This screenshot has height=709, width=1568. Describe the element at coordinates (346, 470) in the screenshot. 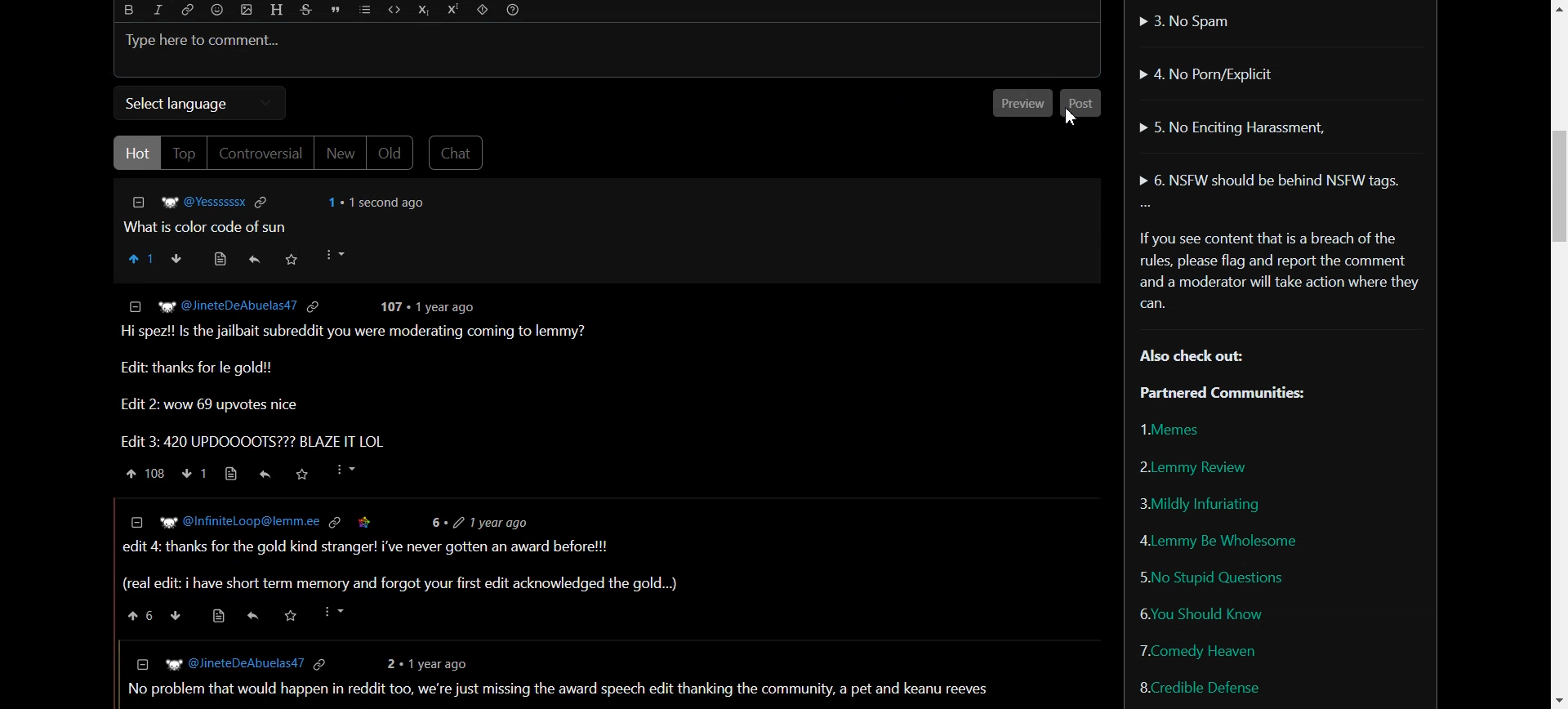

I see `more` at that location.